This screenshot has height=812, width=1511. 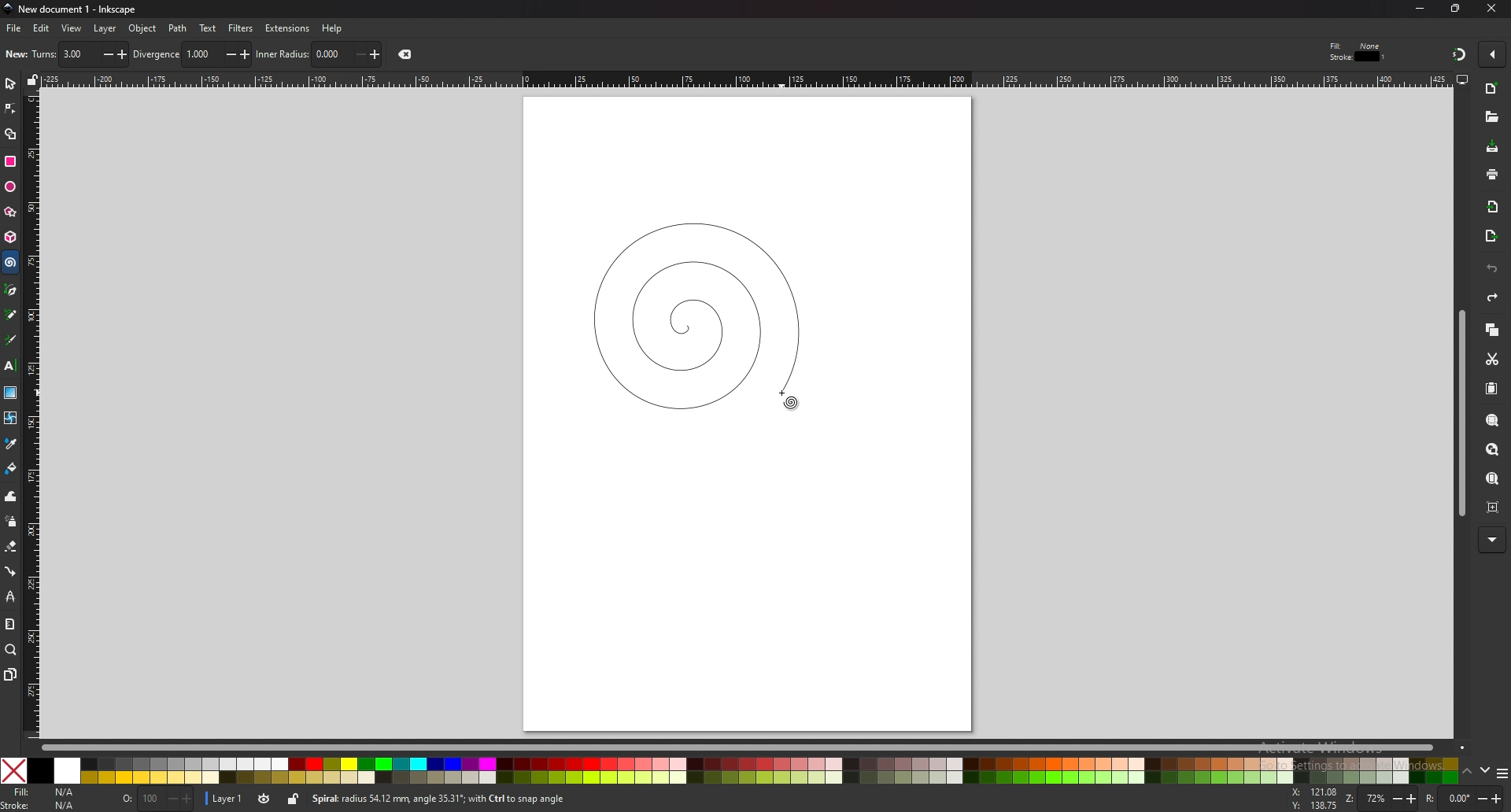 What do you see at coordinates (1465, 799) in the screenshot?
I see `R: 0.00` at bounding box center [1465, 799].